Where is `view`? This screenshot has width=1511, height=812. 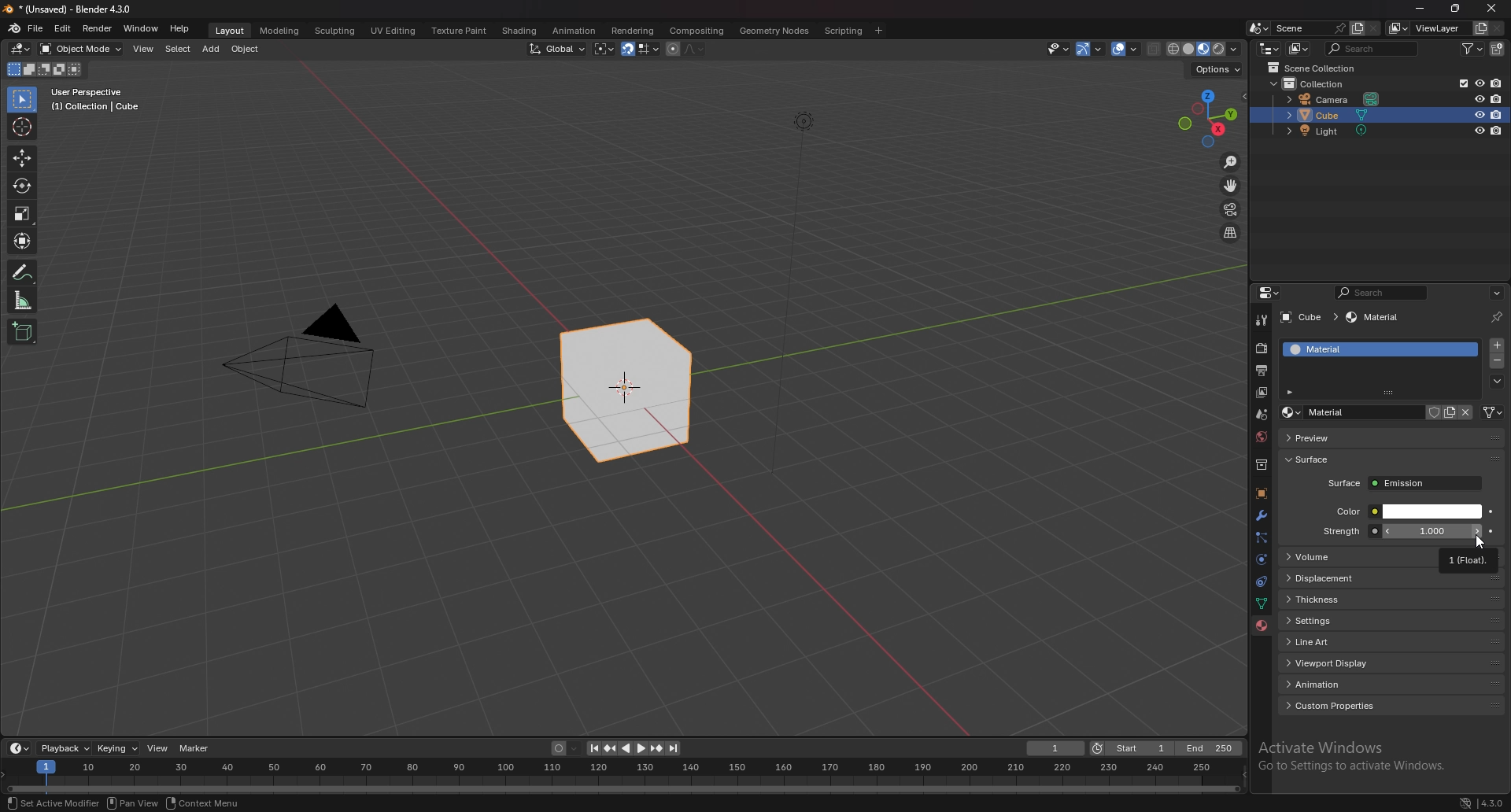 view is located at coordinates (145, 49).